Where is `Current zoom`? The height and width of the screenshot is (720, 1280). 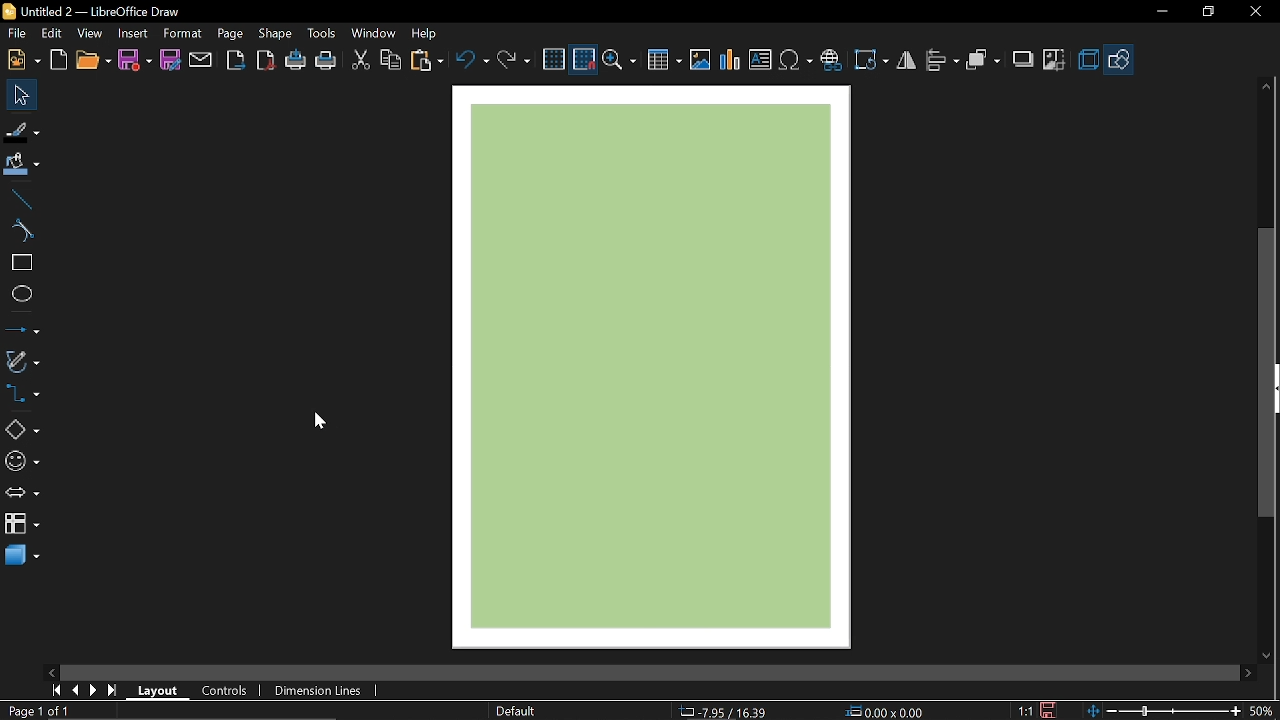 Current zoom is located at coordinates (1263, 710).